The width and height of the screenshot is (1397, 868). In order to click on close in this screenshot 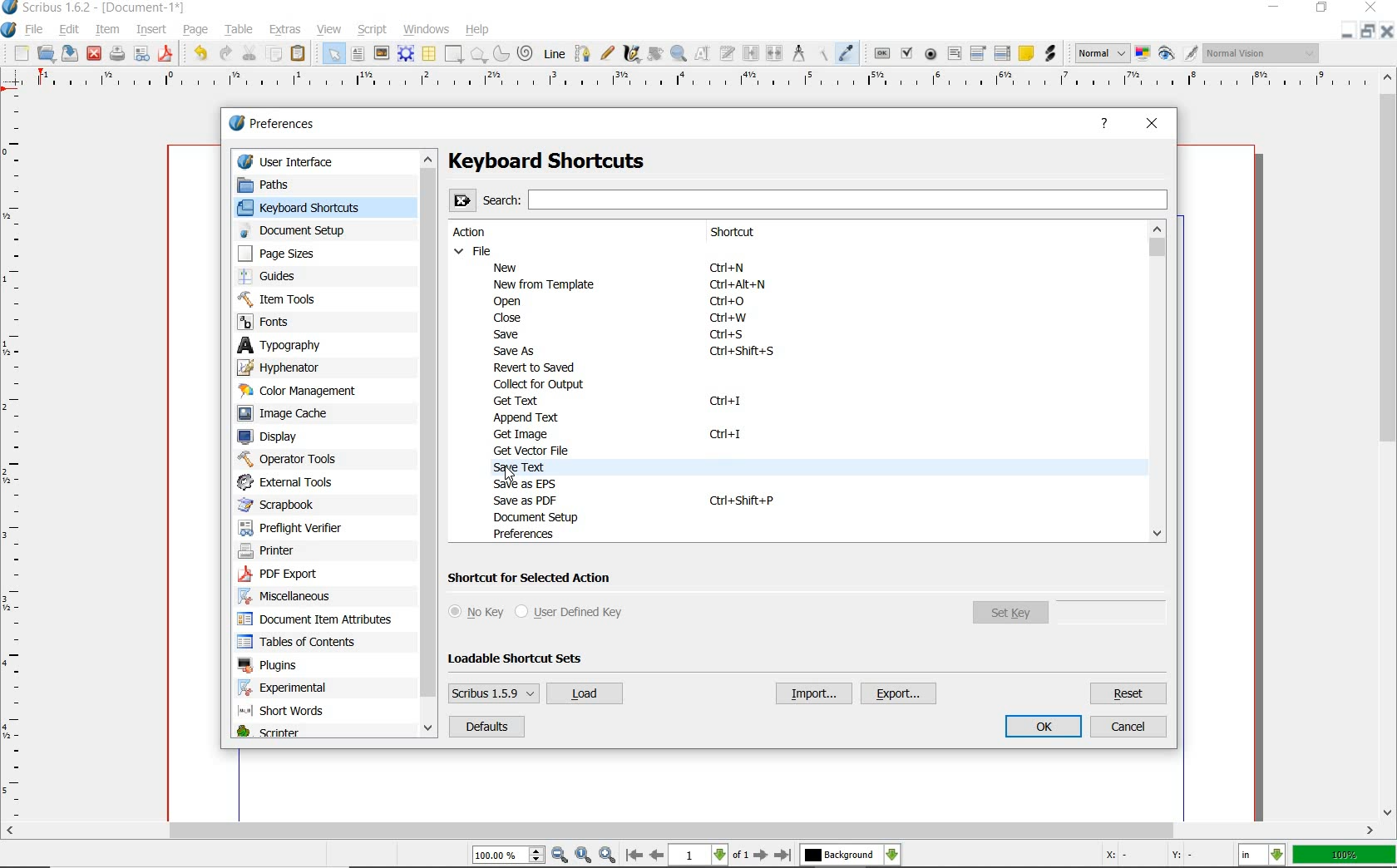, I will do `click(1387, 31)`.